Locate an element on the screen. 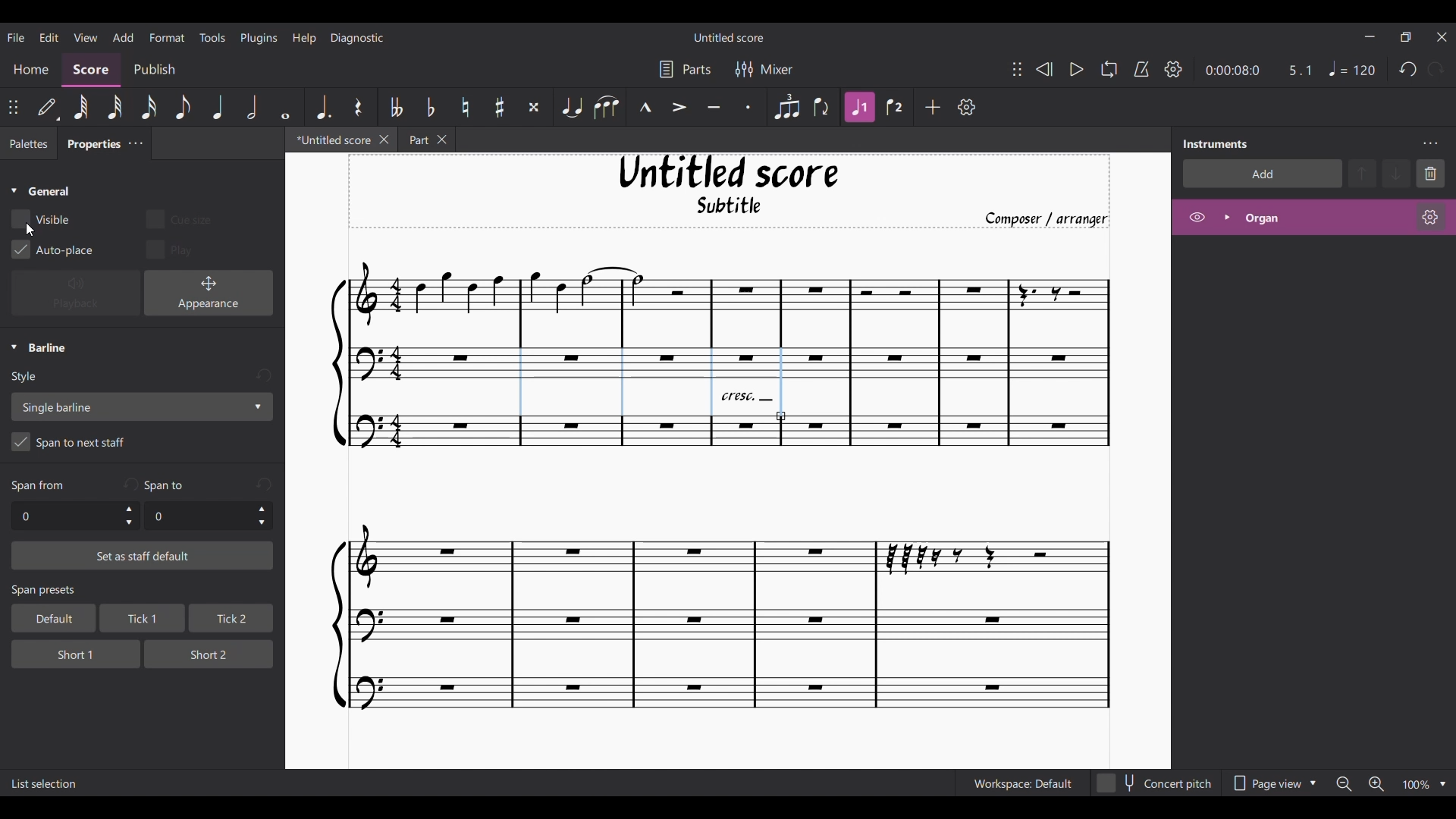 The width and height of the screenshot is (1456, 819). Undo input made is located at coordinates (263, 376).